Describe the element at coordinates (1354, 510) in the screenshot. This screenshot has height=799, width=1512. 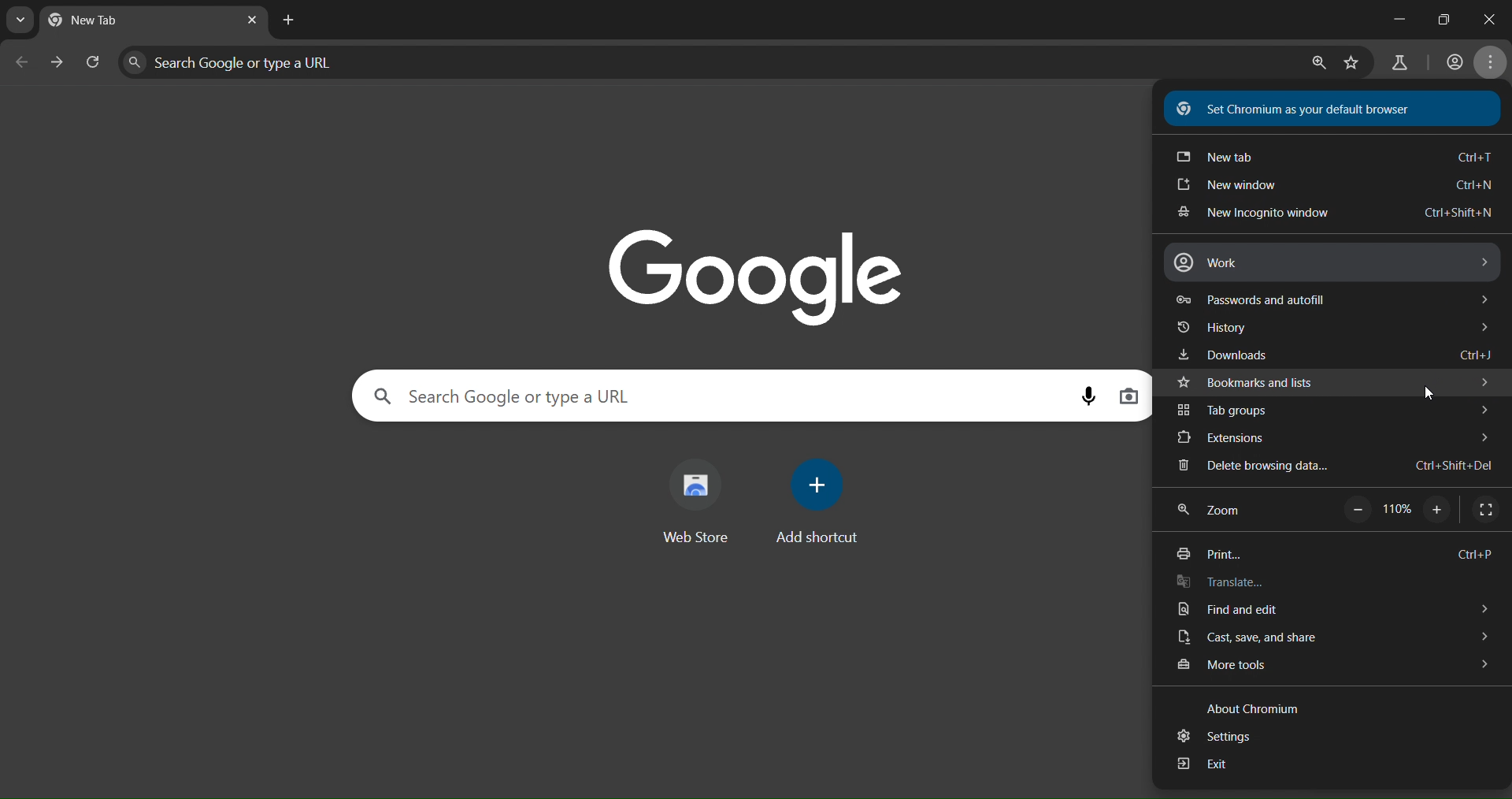
I see `zoom out` at that location.